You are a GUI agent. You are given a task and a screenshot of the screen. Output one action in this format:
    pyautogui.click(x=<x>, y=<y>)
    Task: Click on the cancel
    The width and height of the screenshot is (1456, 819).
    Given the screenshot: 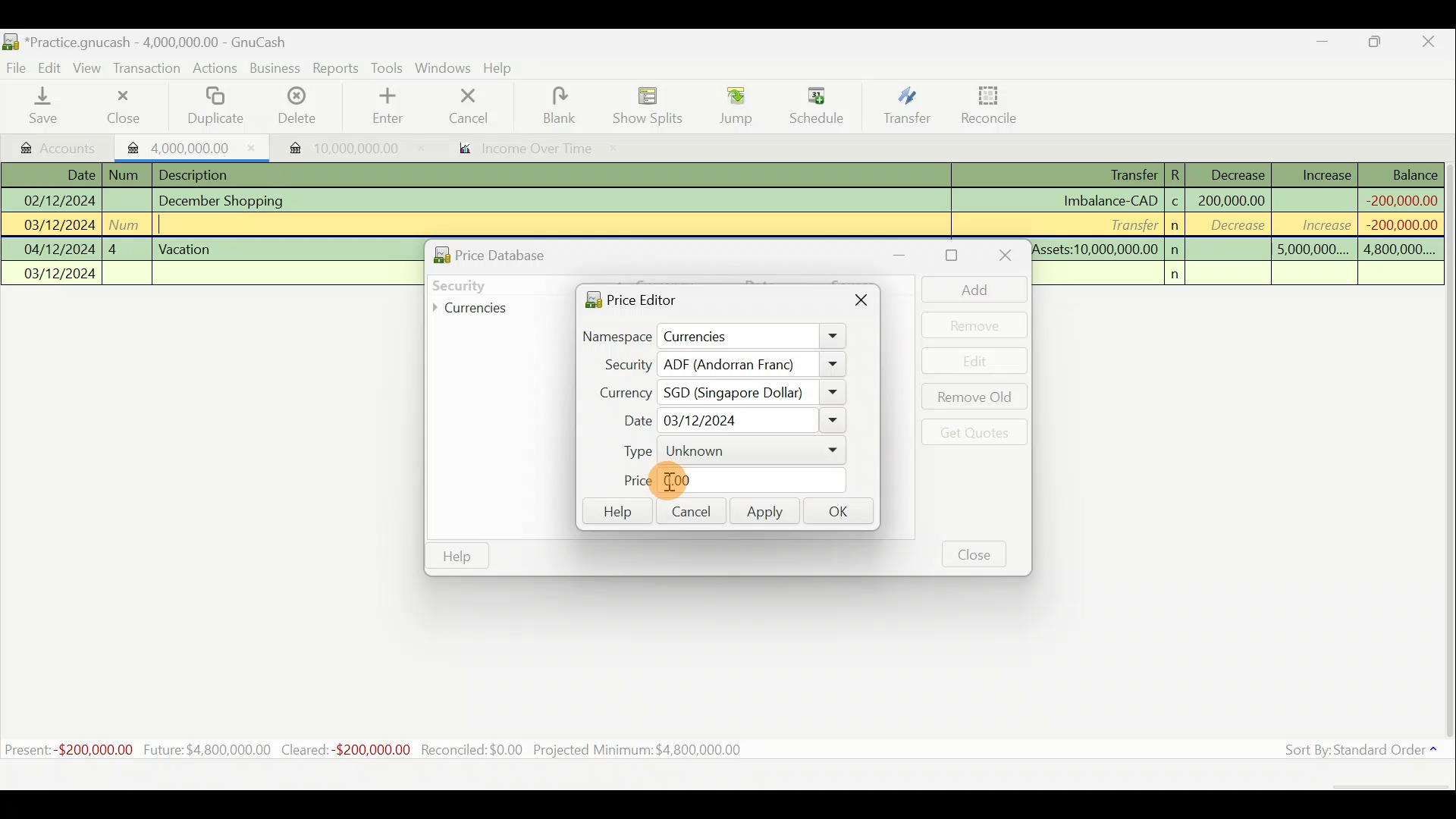 What is the action you would take?
    pyautogui.click(x=485, y=108)
    